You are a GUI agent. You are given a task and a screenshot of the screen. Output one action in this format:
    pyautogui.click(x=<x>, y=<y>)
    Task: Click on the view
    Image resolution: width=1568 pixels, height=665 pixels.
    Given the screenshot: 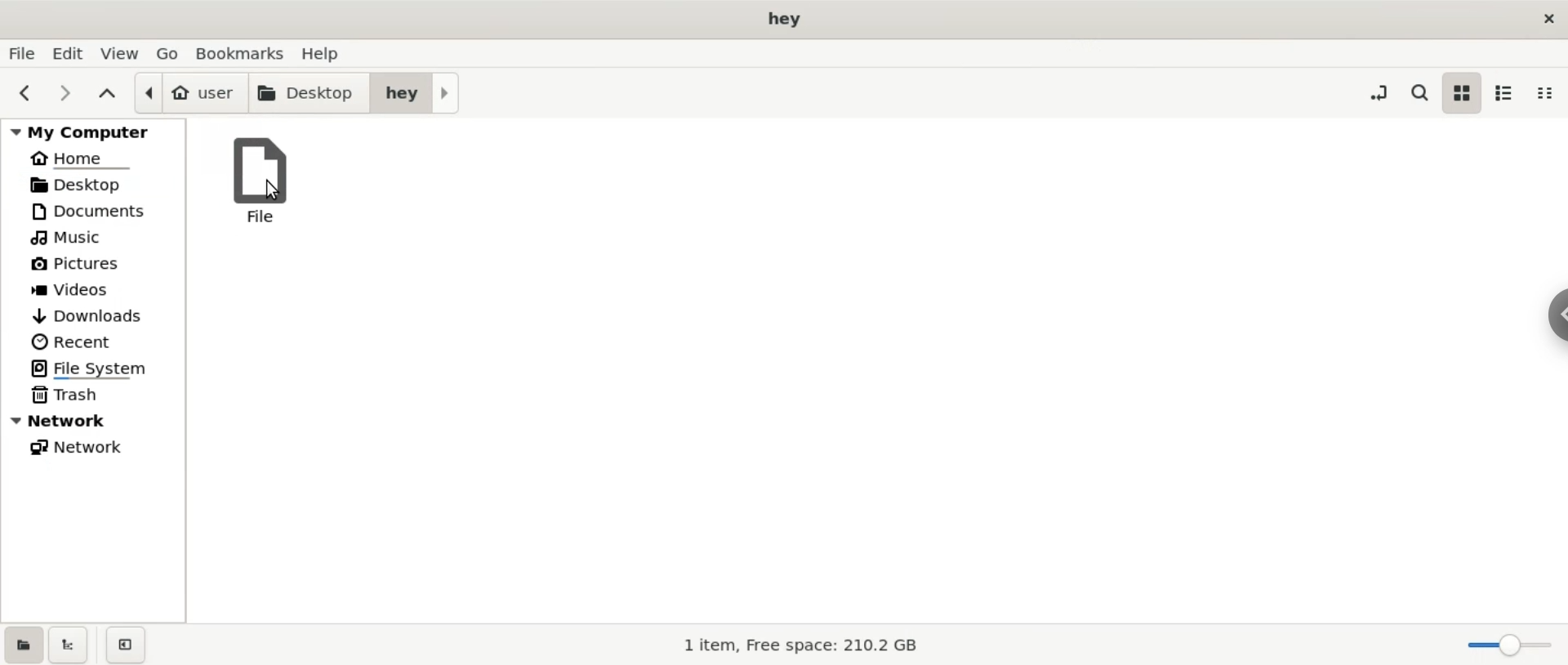 What is the action you would take?
    pyautogui.click(x=118, y=54)
    